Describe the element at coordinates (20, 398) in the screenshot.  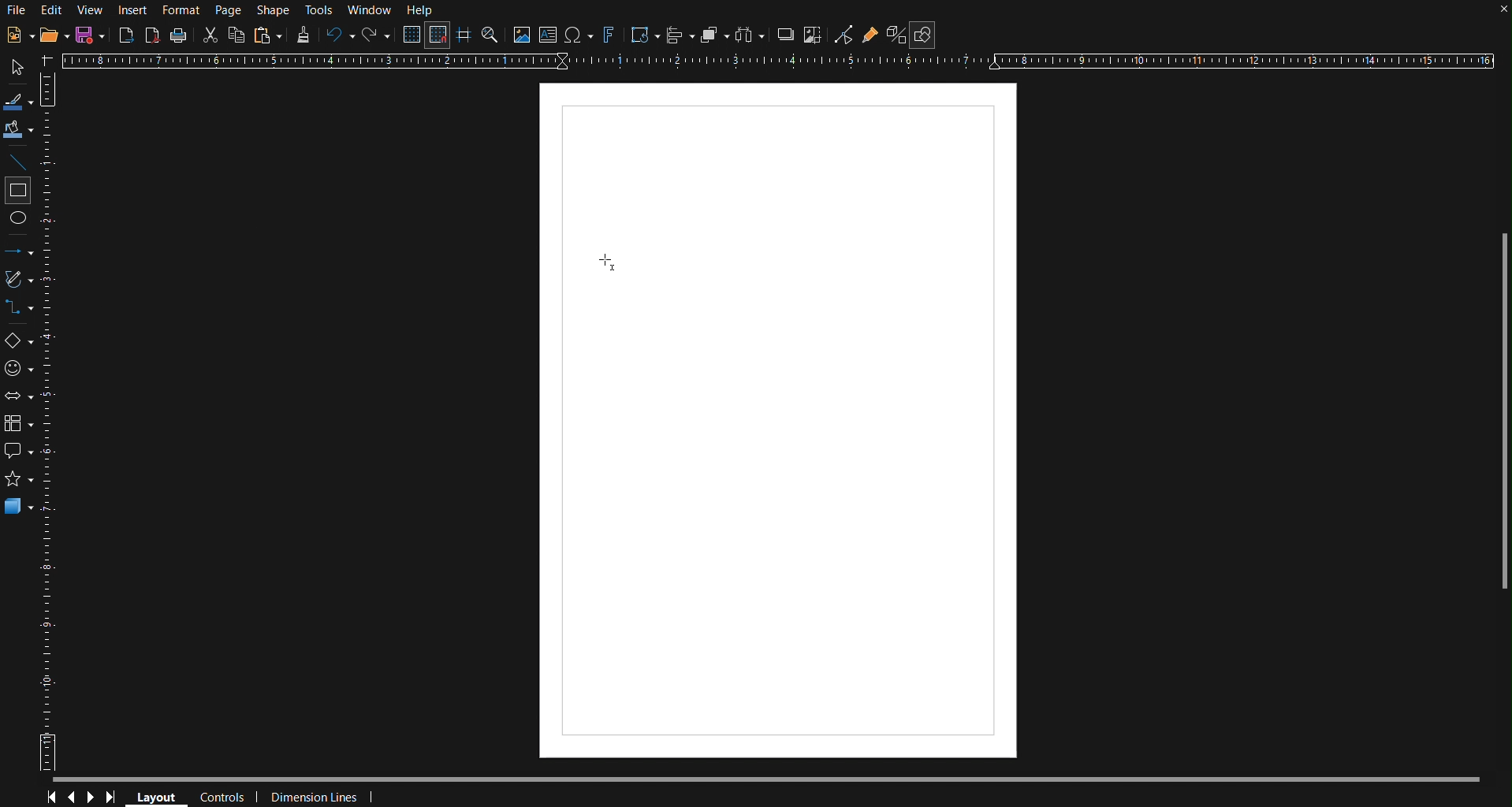
I see `Block Arrows` at that location.